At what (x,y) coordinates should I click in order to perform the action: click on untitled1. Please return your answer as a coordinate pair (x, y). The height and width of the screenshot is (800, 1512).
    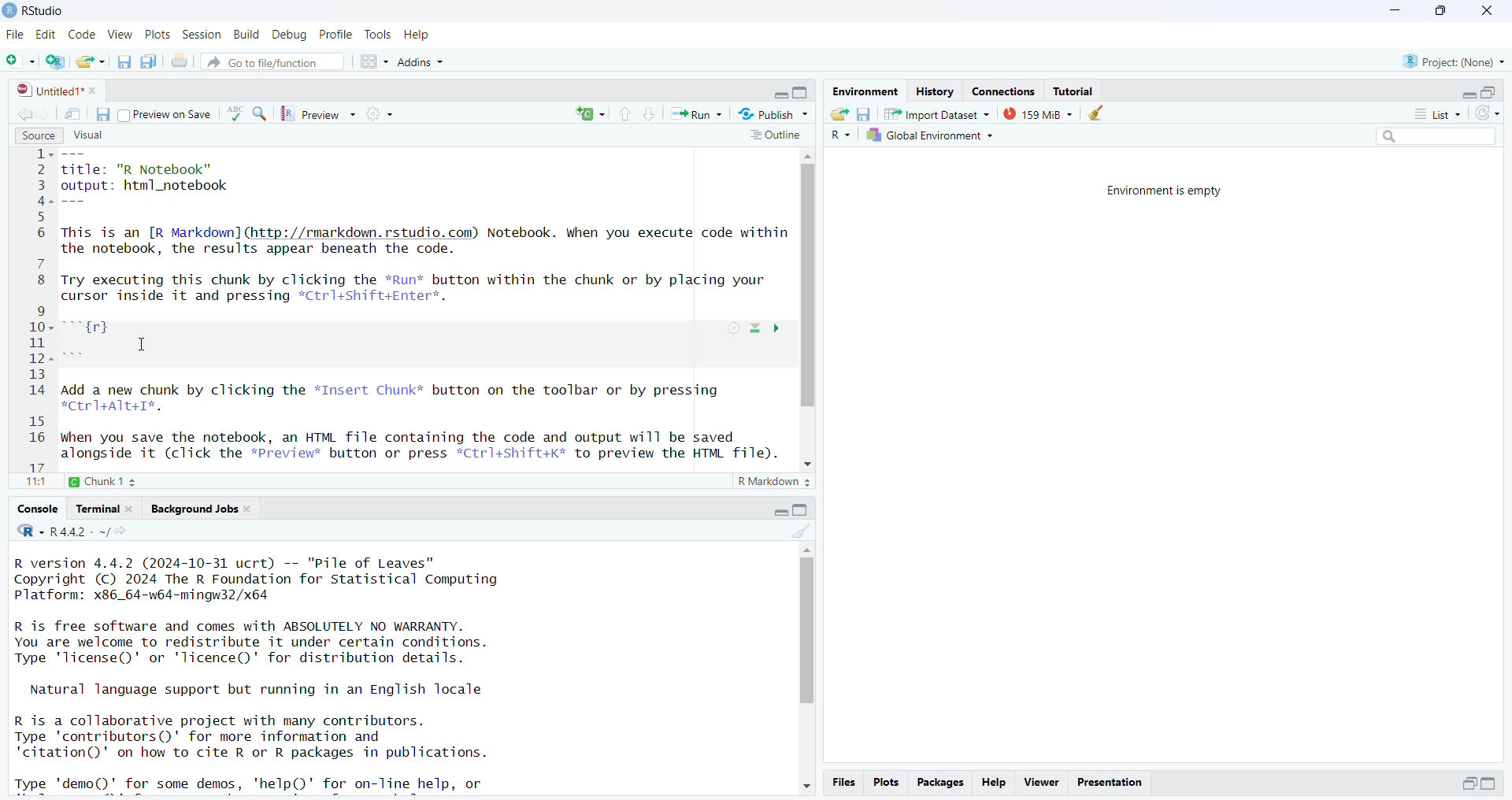
    Looking at the image, I should click on (57, 91).